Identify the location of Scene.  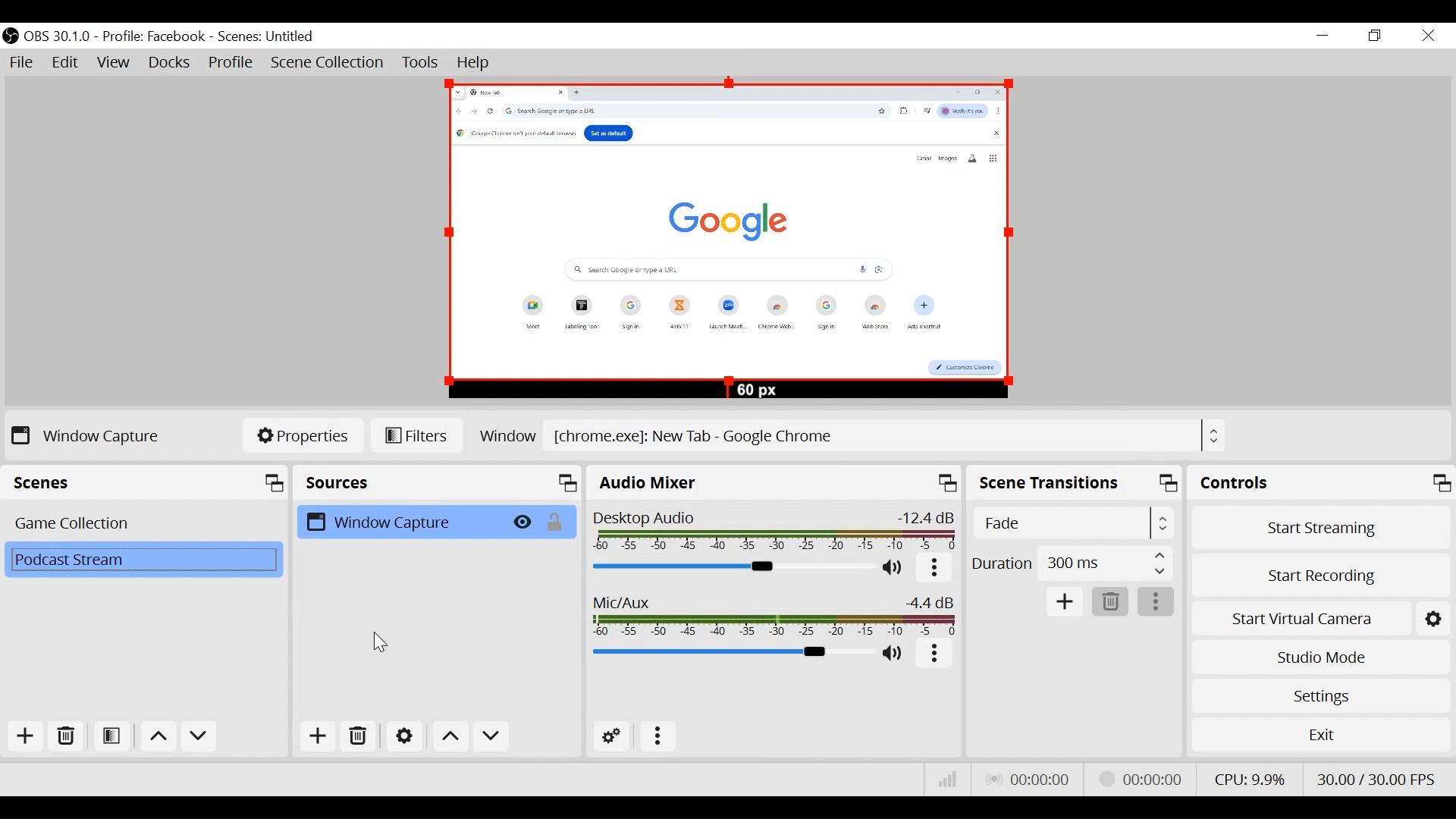
(143, 524).